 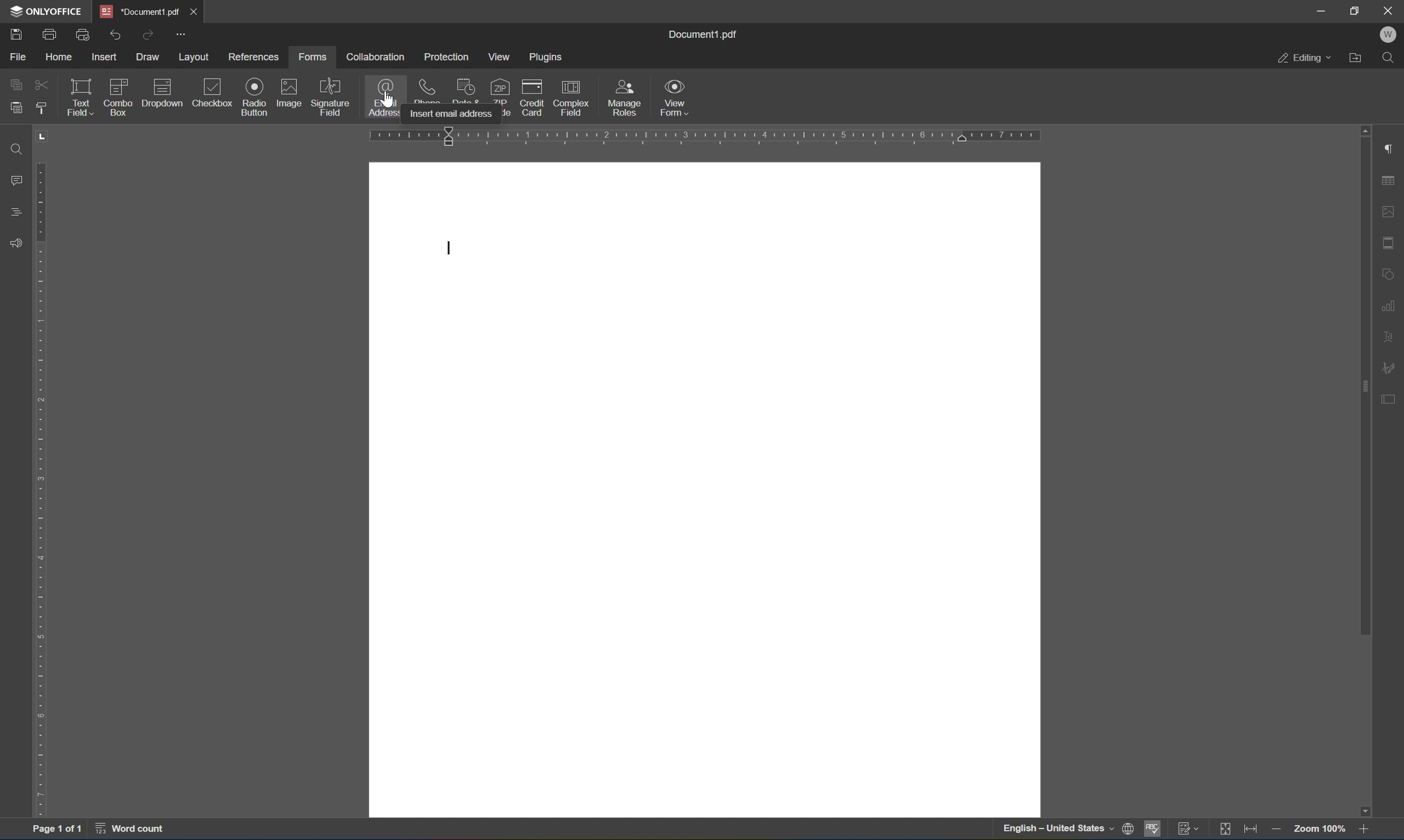 I want to click on fit to width, so click(x=1252, y=832).